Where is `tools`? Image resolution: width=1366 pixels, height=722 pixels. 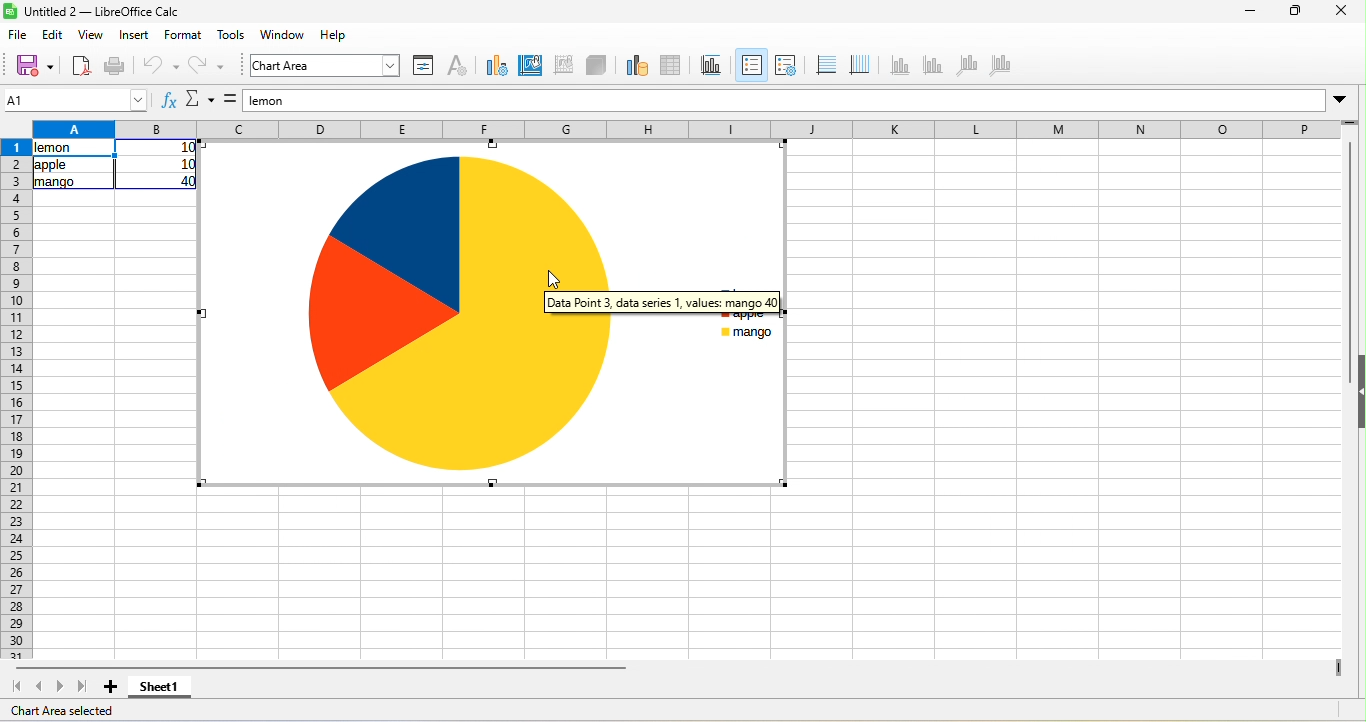
tools is located at coordinates (233, 37).